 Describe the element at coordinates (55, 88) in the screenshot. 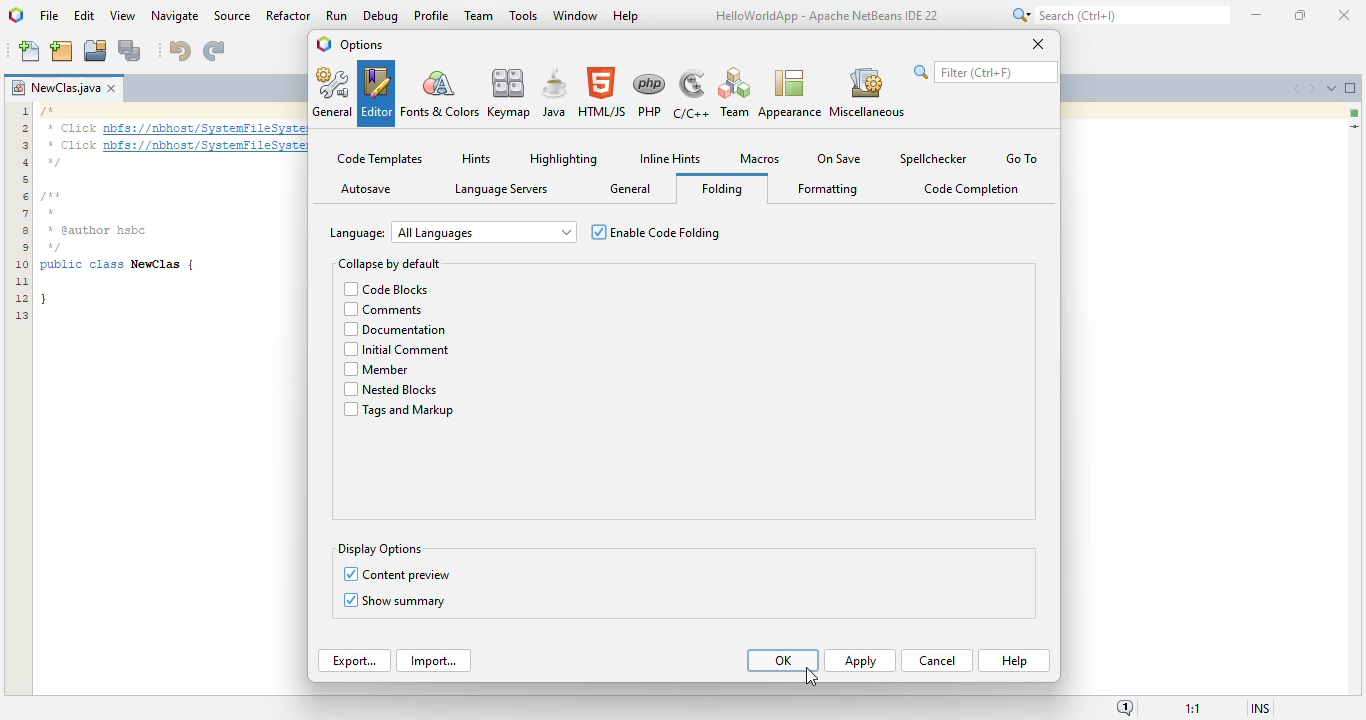

I see `project name` at that location.